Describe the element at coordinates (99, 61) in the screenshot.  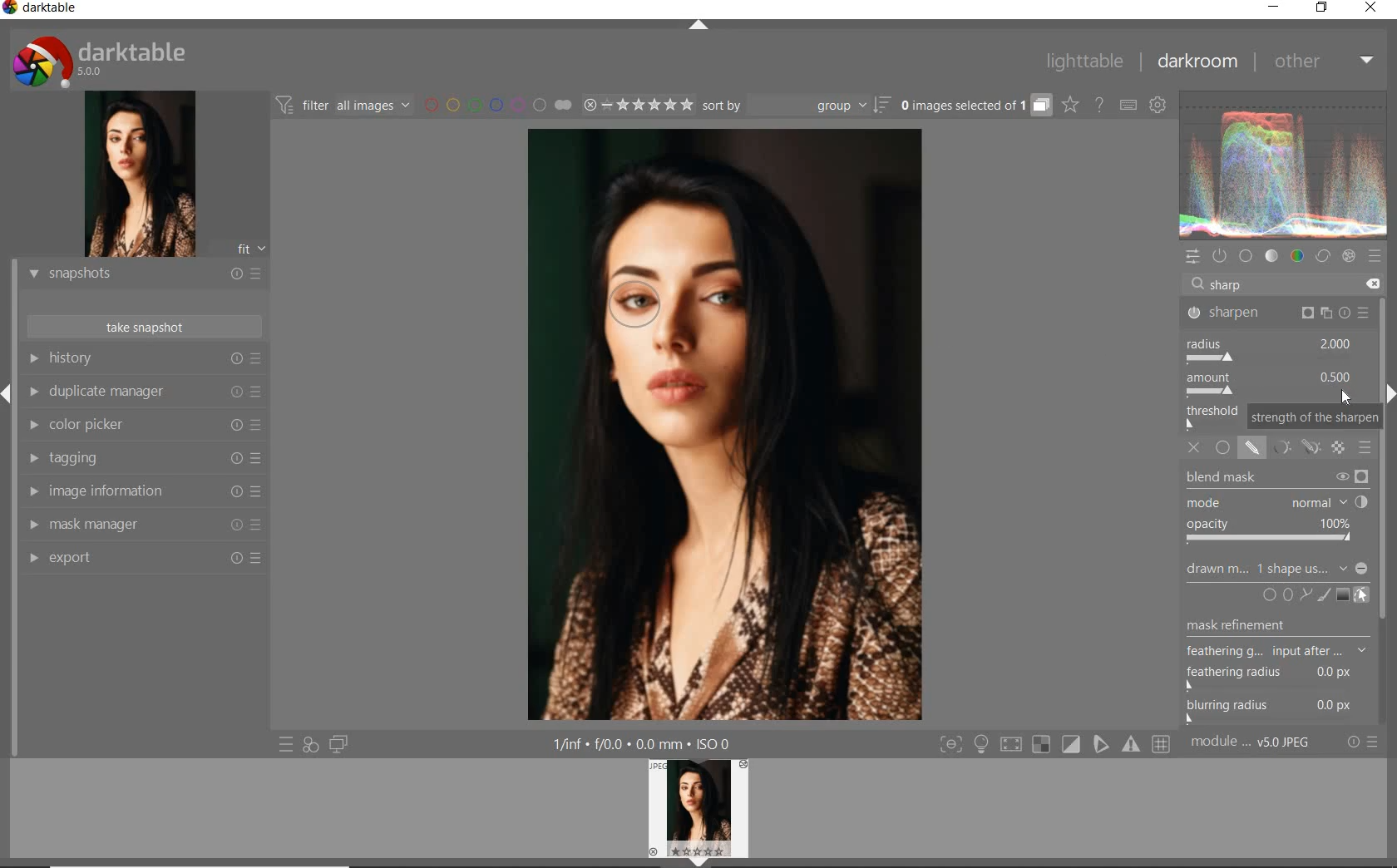
I see `Darktable 5.0.0` at that location.